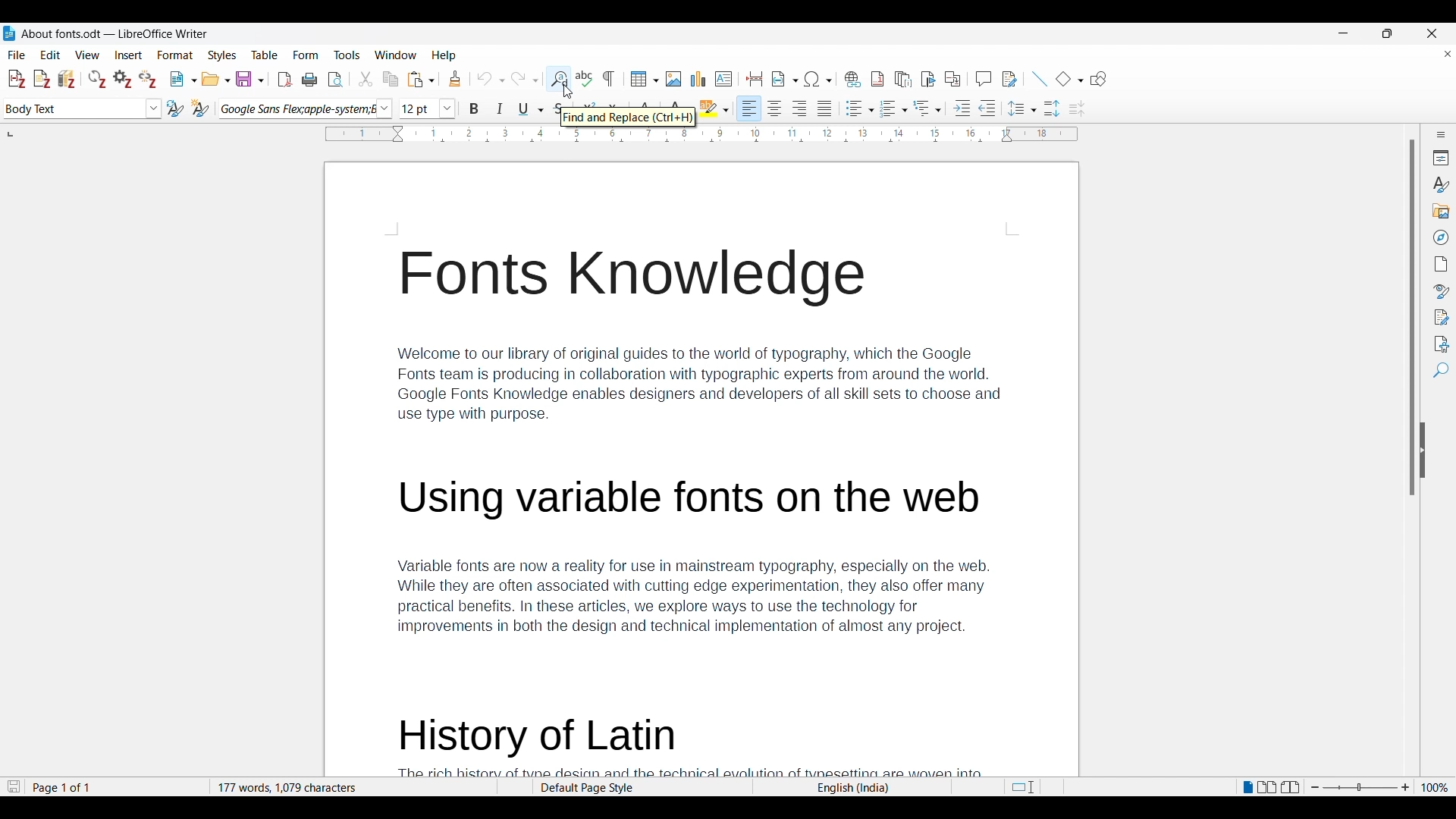 This screenshot has height=819, width=1456. What do you see at coordinates (347, 55) in the screenshot?
I see `Tools menu` at bounding box center [347, 55].